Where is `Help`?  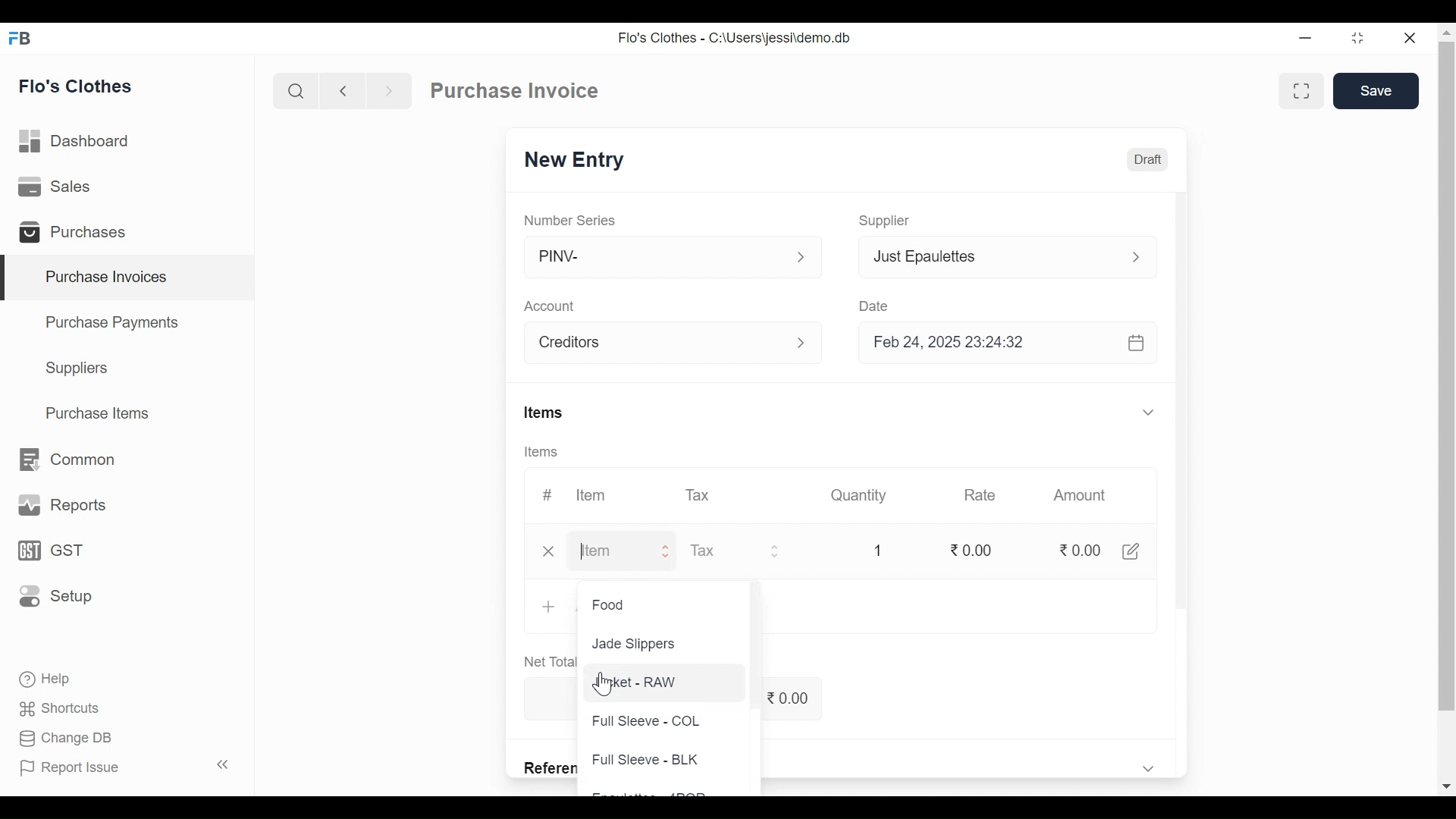
Help is located at coordinates (50, 679).